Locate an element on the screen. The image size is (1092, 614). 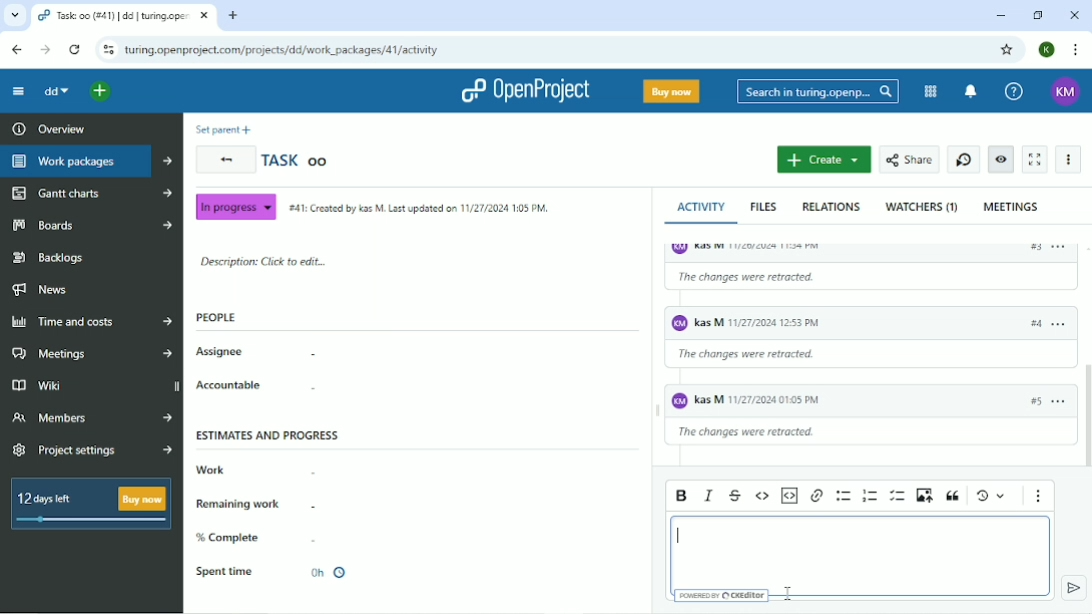
Forward is located at coordinates (45, 50).